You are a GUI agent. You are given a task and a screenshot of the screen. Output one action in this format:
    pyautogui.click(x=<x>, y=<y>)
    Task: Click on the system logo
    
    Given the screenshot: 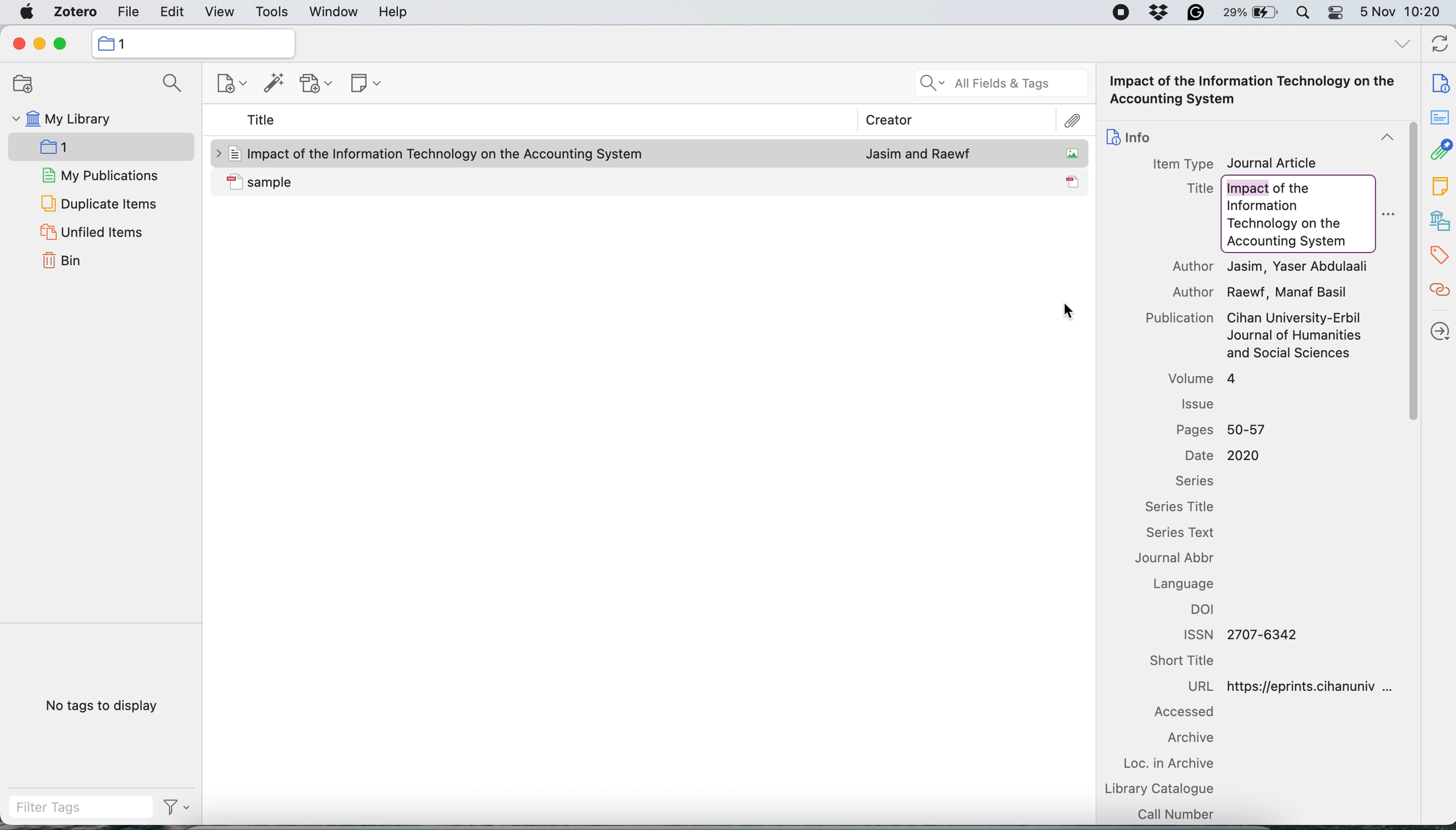 What is the action you would take?
    pyautogui.click(x=25, y=13)
    